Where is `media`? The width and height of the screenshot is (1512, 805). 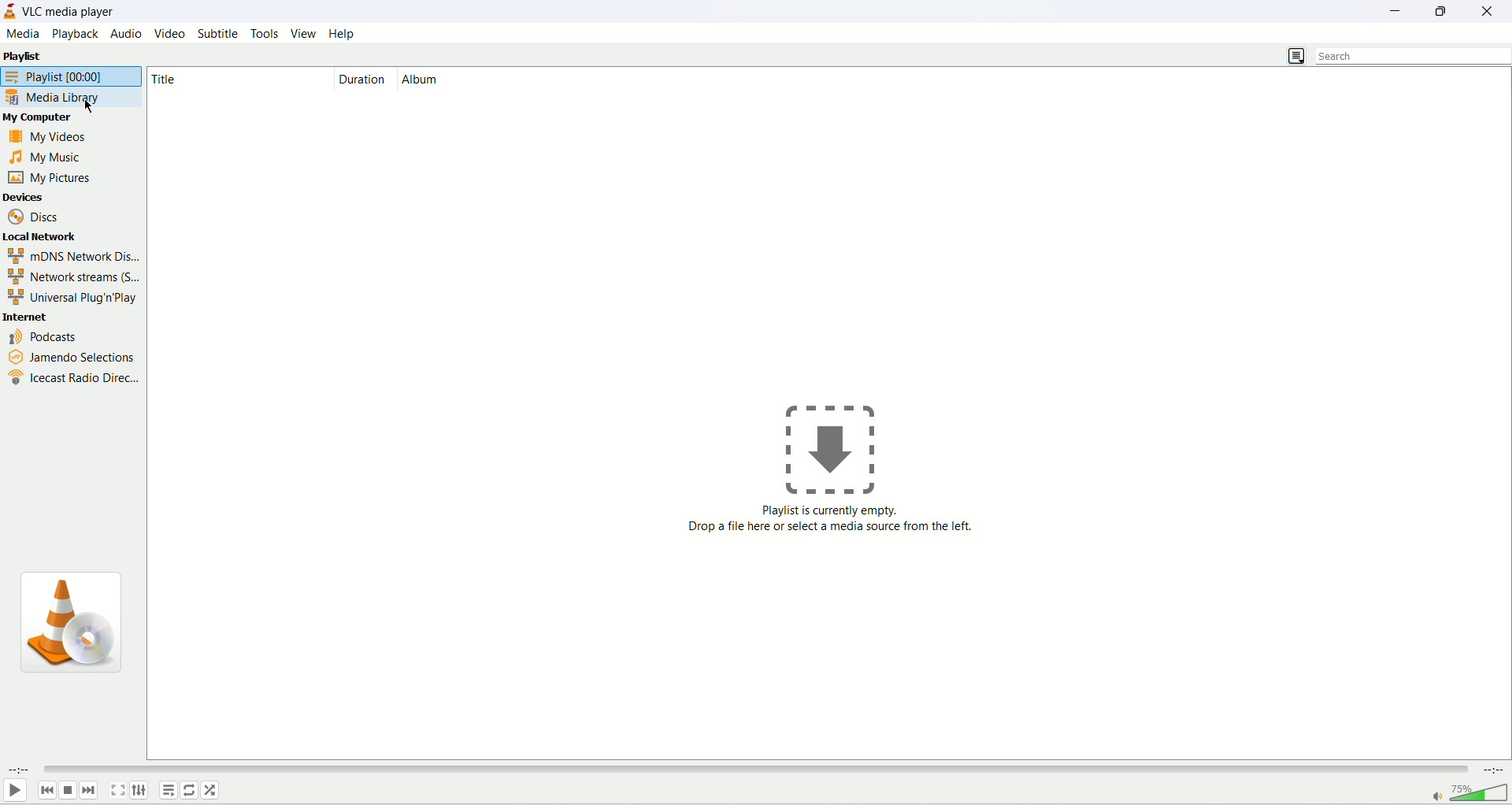
media is located at coordinates (20, 33).